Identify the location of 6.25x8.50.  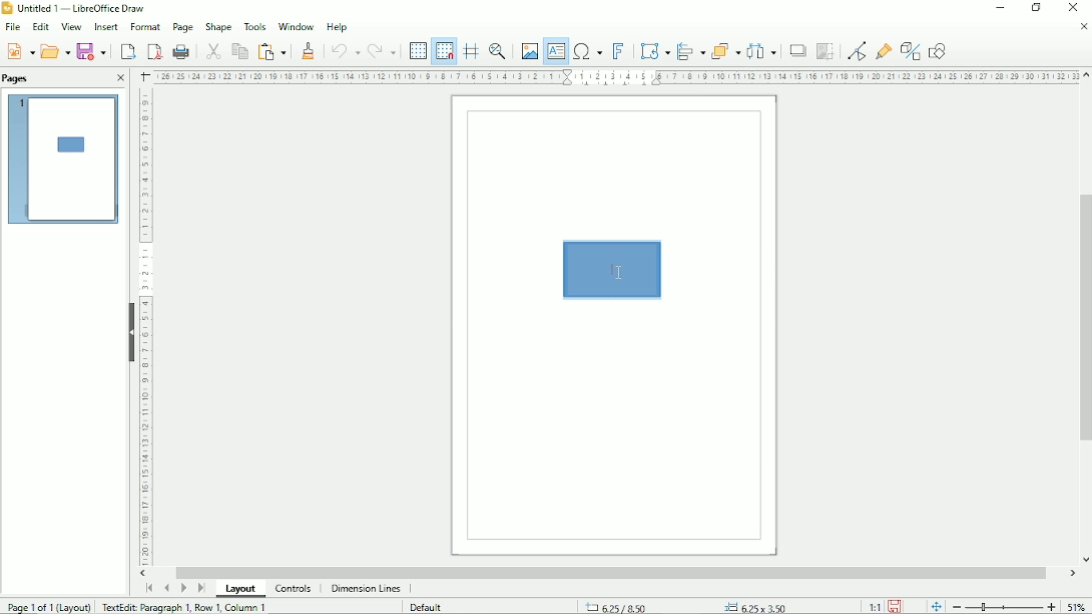
(618, 606).